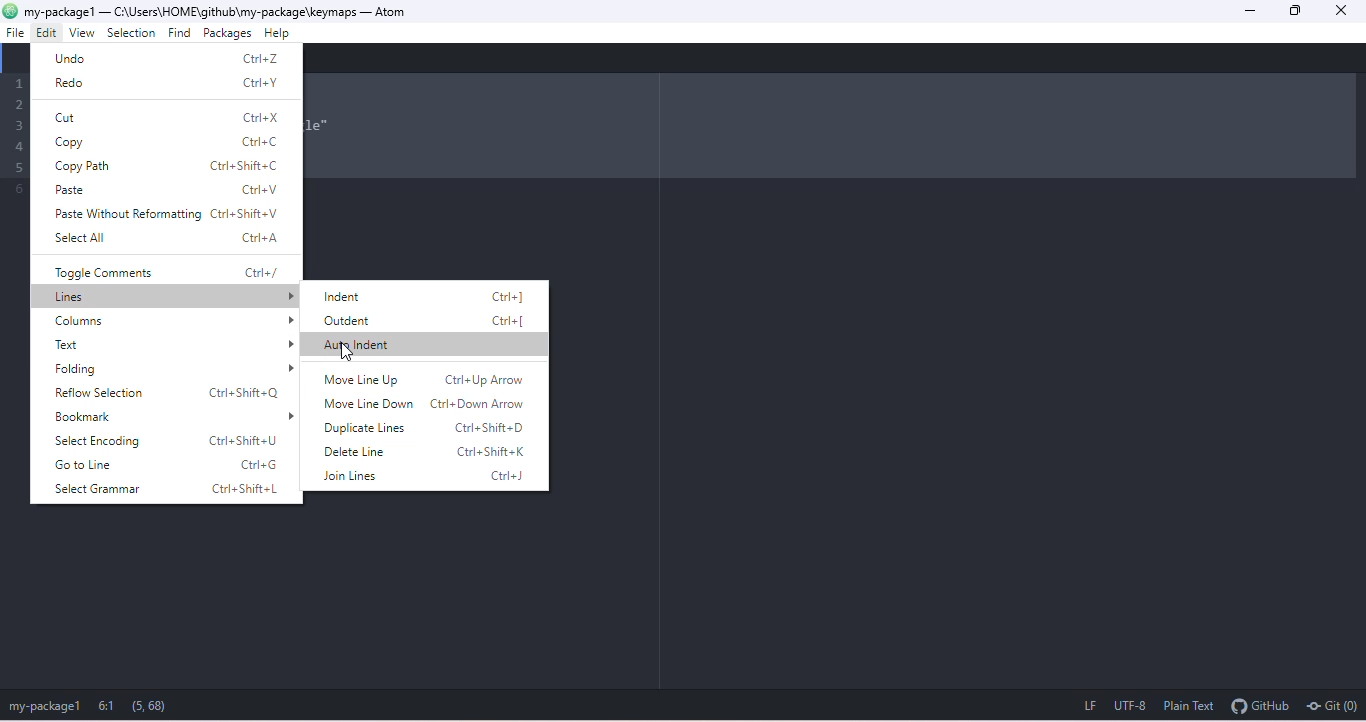 Image resolution: width=1366 pixels, height=722 pixels. Describe the element at coordinates (88, 33) in the screenshot. I see `view` at that location.